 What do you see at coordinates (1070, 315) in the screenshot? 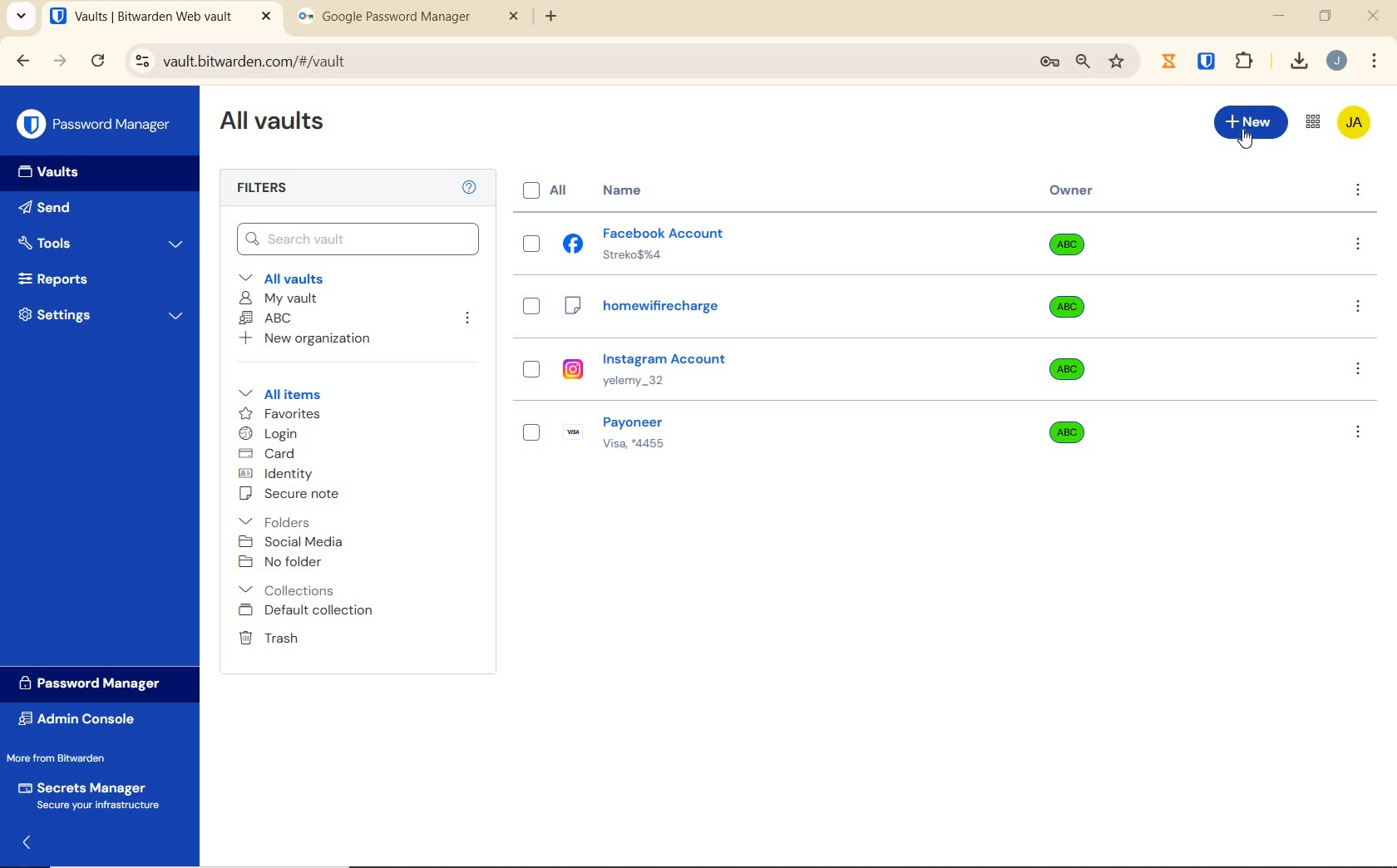
I see `Owner organization` at bounding box center [1070, 315].